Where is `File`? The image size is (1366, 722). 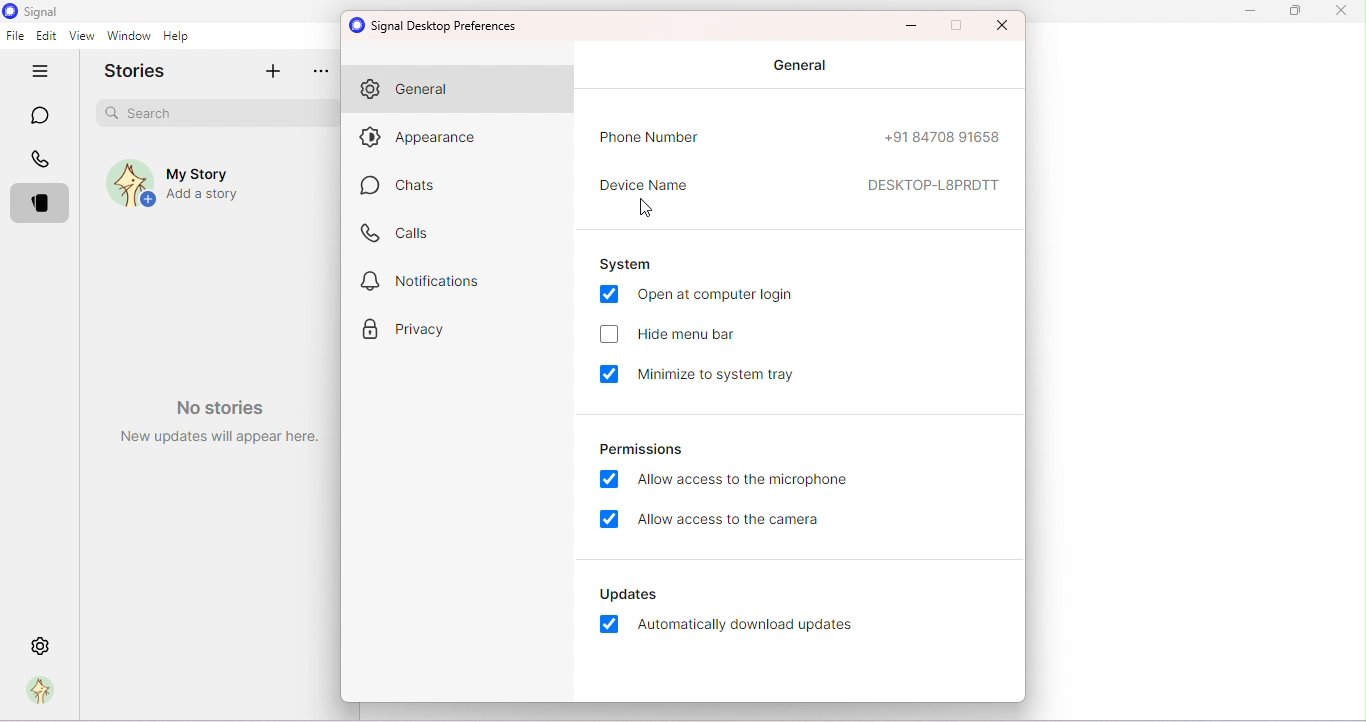 File is located at coordinates (17, 38).